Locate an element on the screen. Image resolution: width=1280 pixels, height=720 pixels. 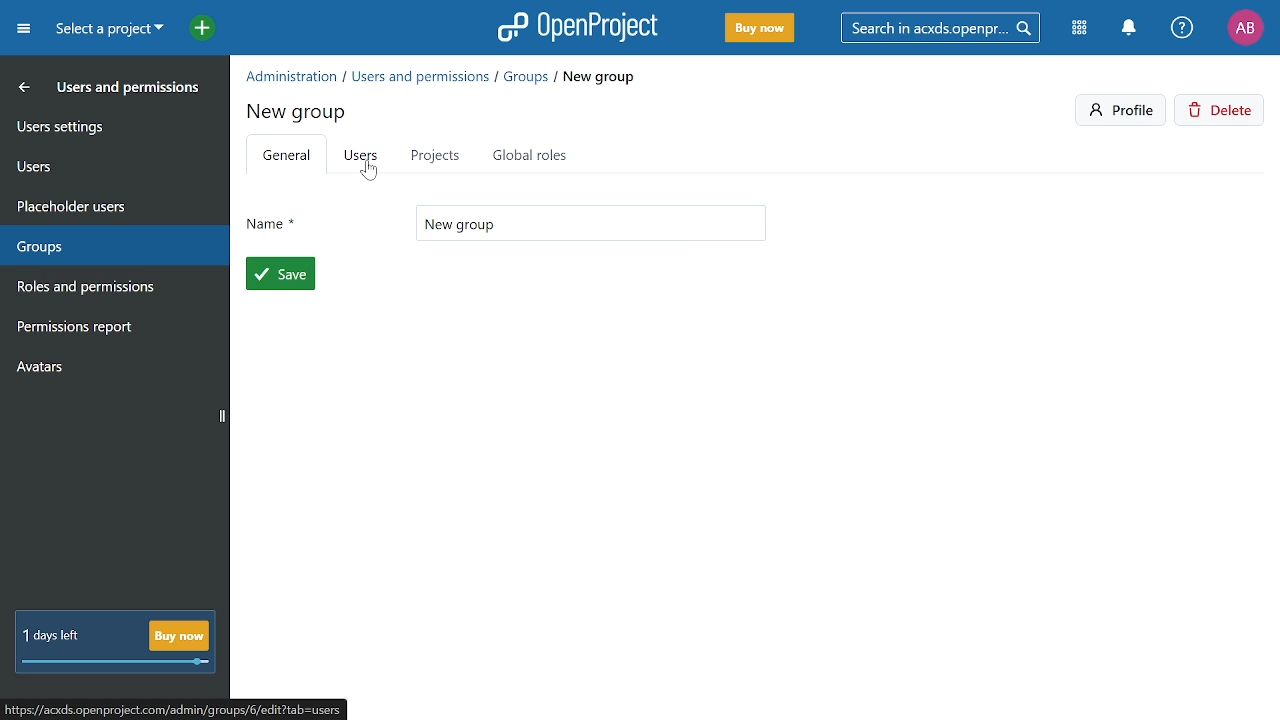
Save is located at coordinates (281, 274).